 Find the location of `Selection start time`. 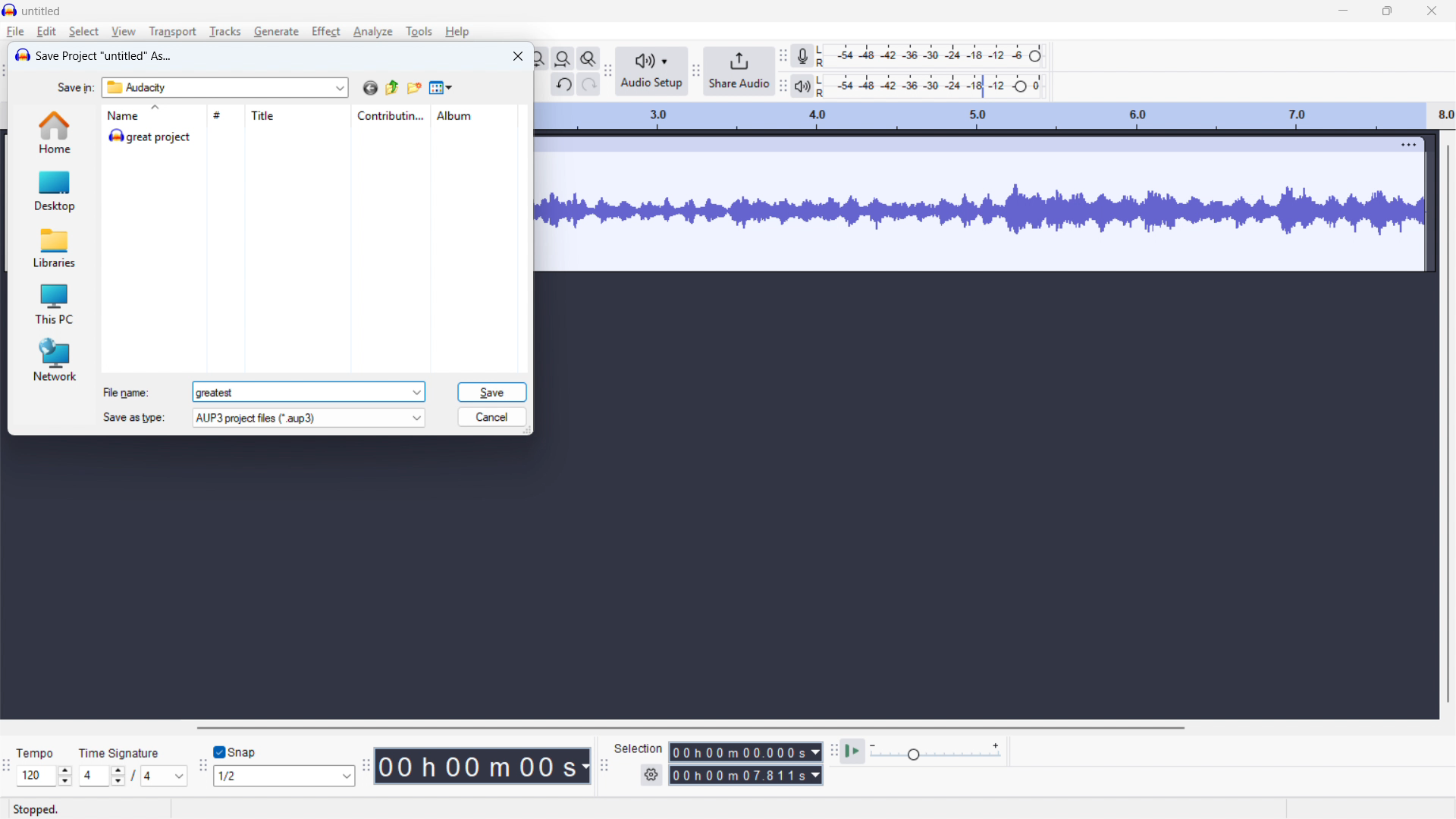

Selection start time is located at coordinates (745, 752).